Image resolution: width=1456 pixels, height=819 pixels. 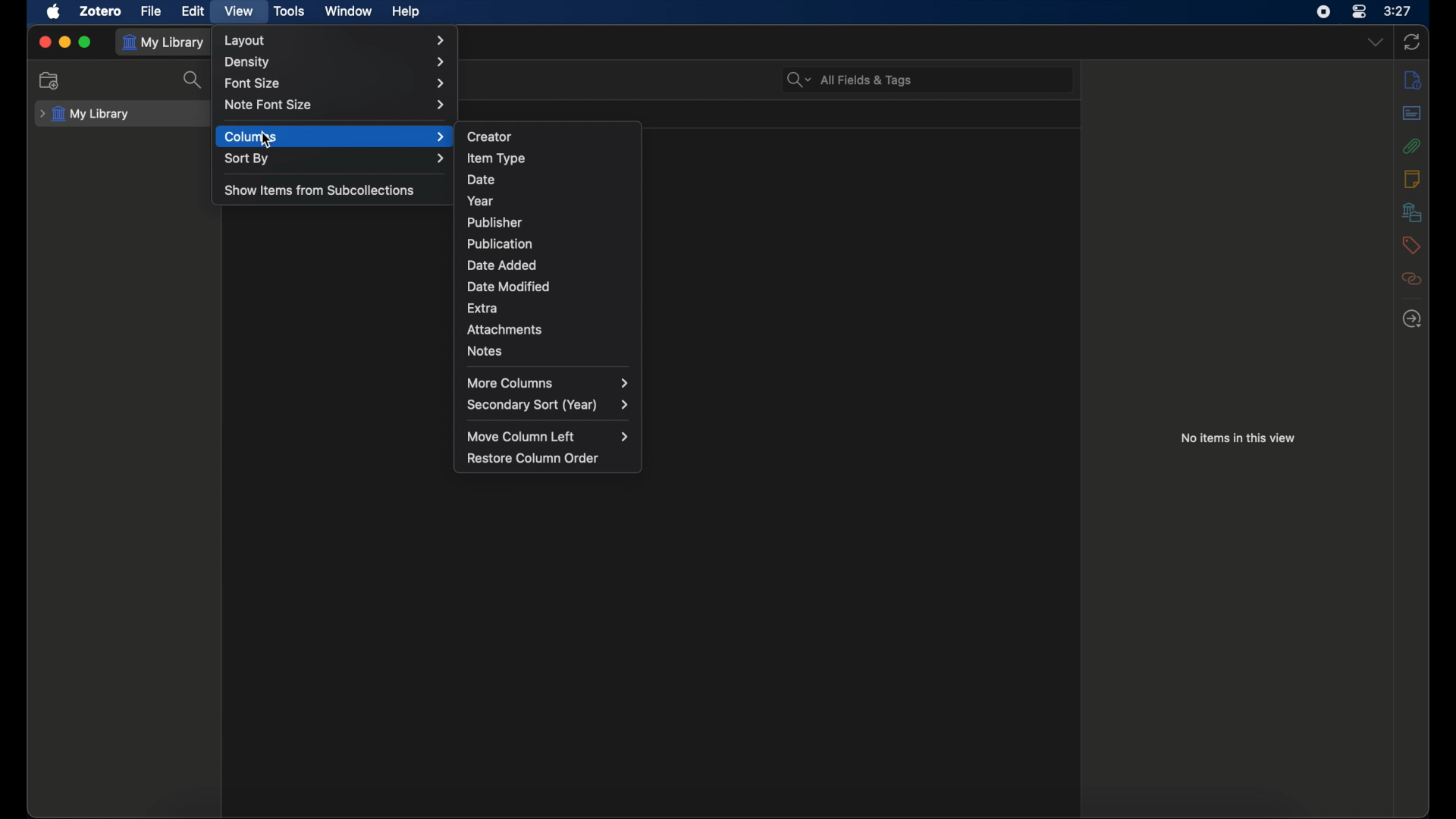 What do you see at coordinates (87, 42) in the screenshot?
I see `maximize` at bounding box center [87, 42].